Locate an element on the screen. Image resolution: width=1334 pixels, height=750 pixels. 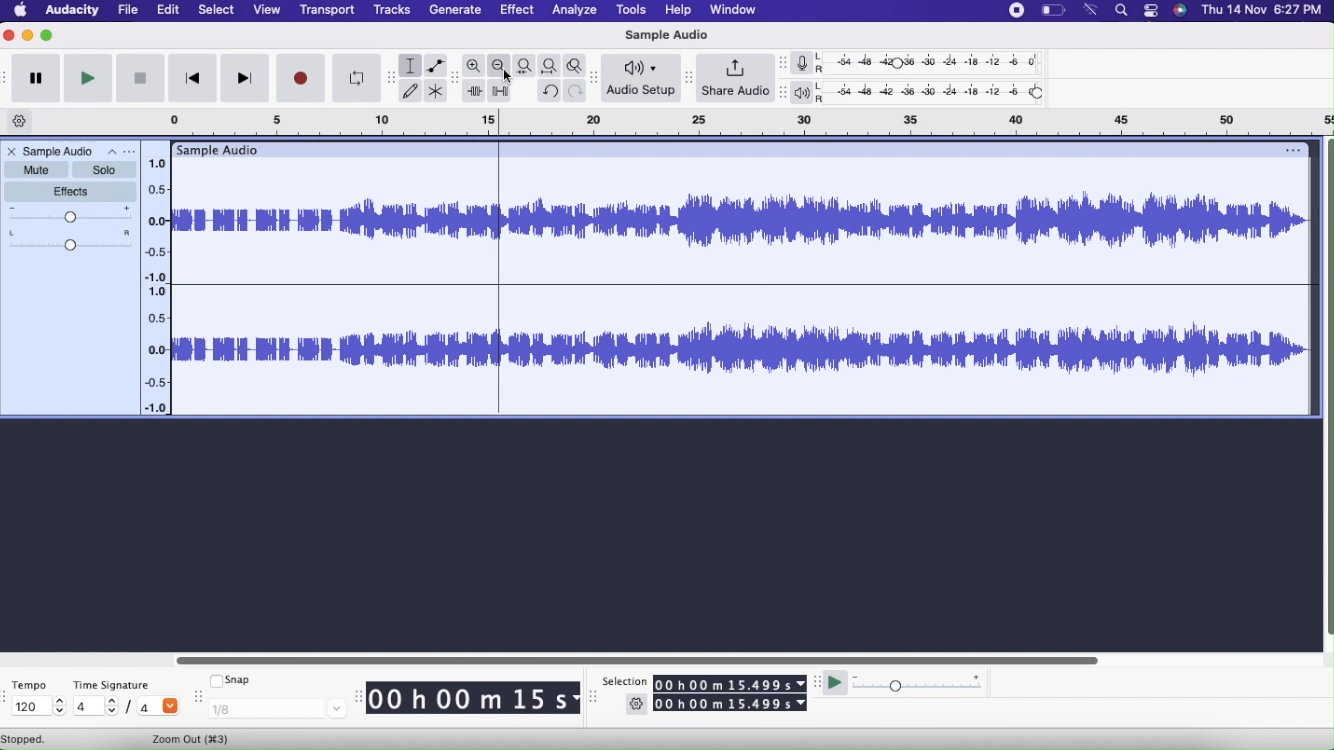
Undo is located at coordinates (549, 91).